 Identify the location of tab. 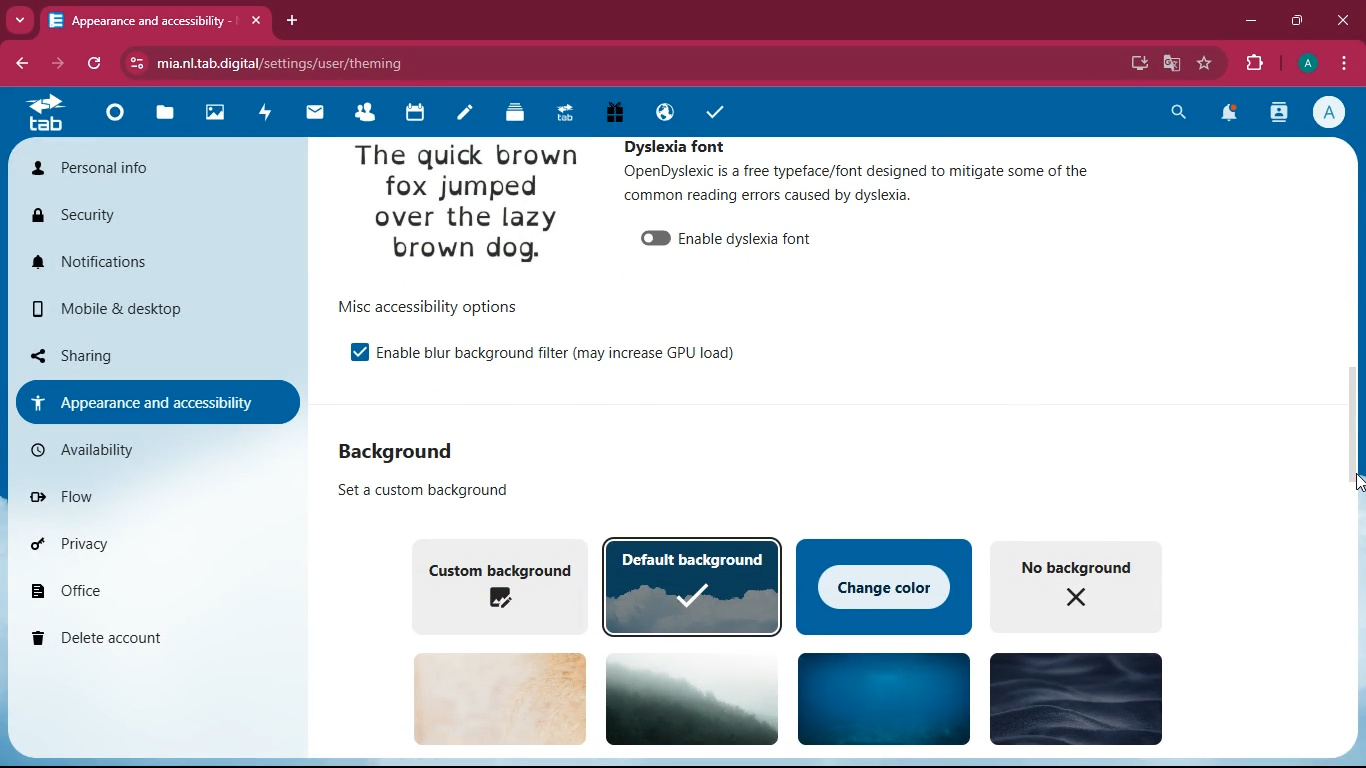
(563, 113).